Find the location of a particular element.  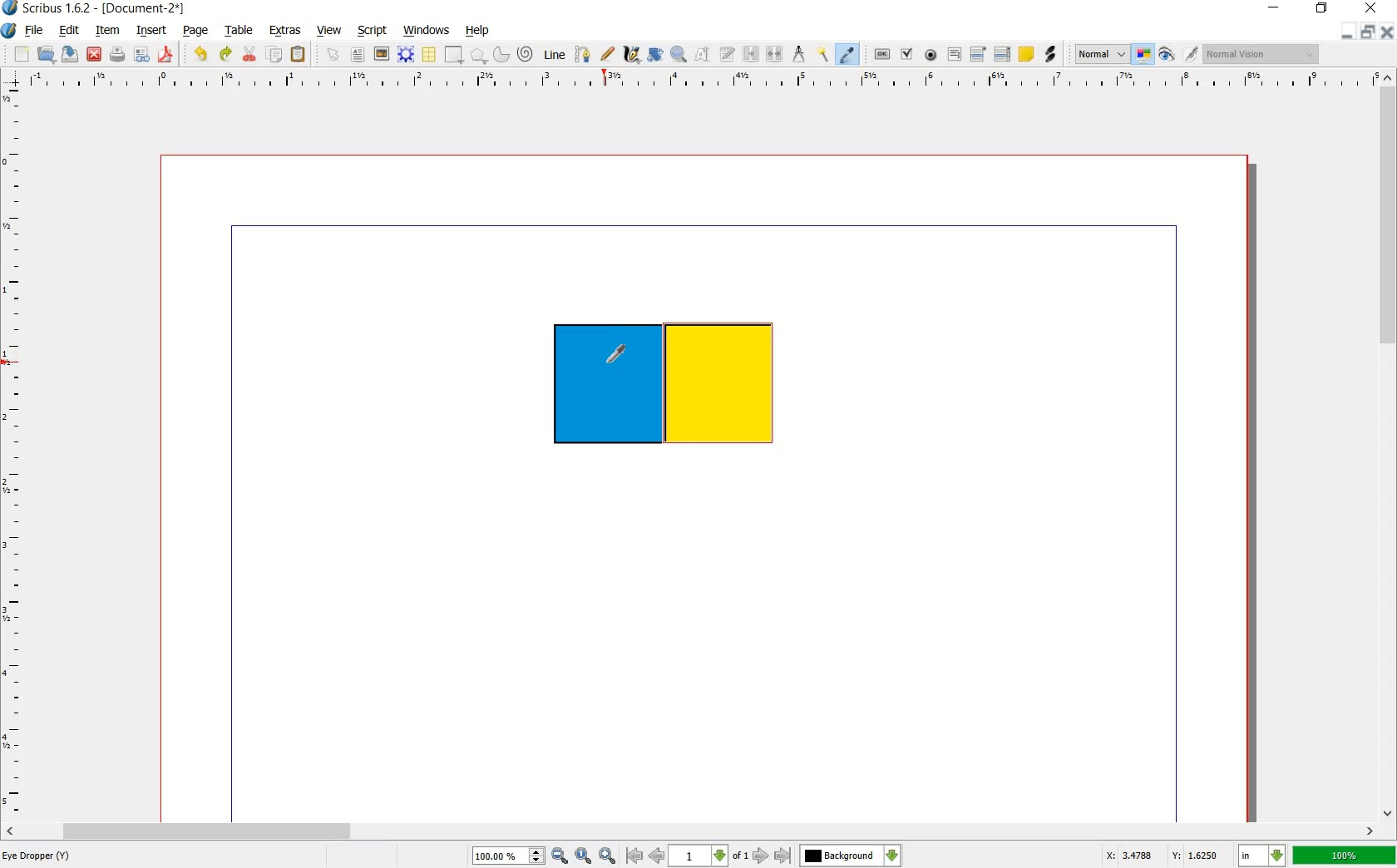

X: 3.4788 Y: 16250 is located at coordinates (1161, 855).